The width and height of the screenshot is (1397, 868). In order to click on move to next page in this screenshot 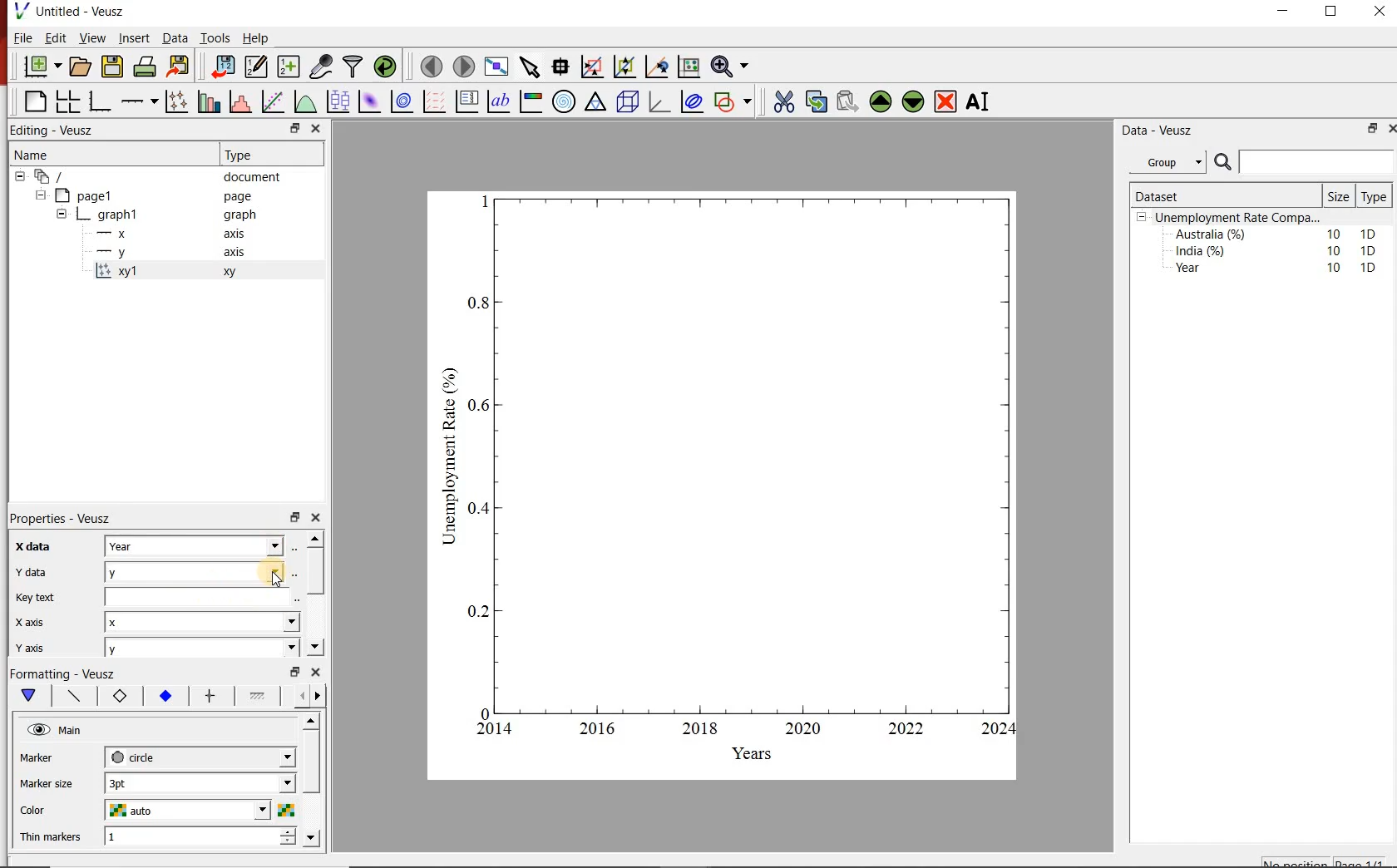, I will do `click(465, 67)`.